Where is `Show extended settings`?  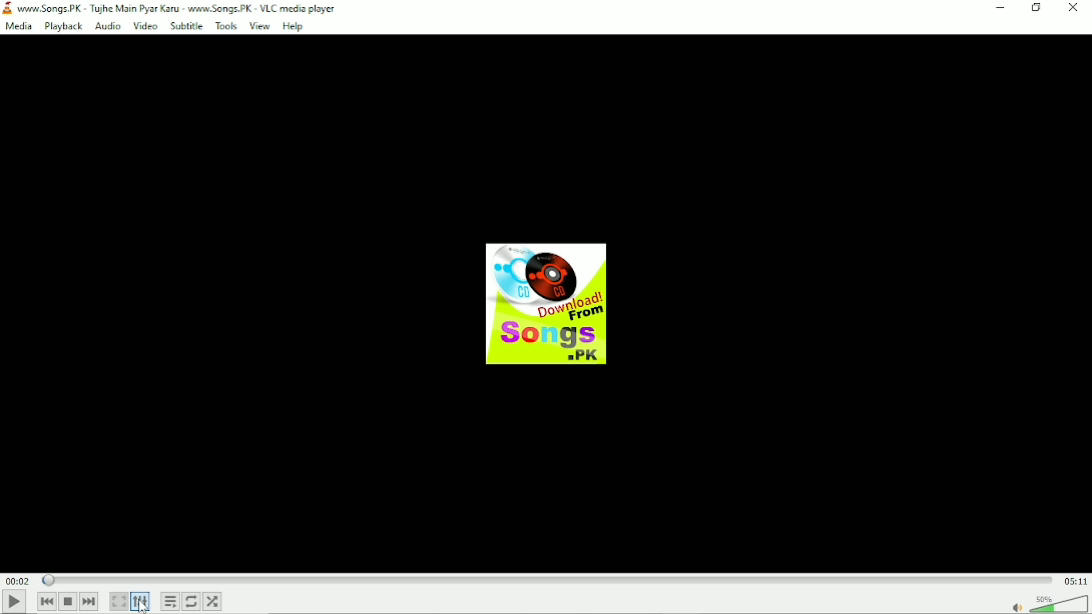 Show extended settings is located at coordinates (140, 601).